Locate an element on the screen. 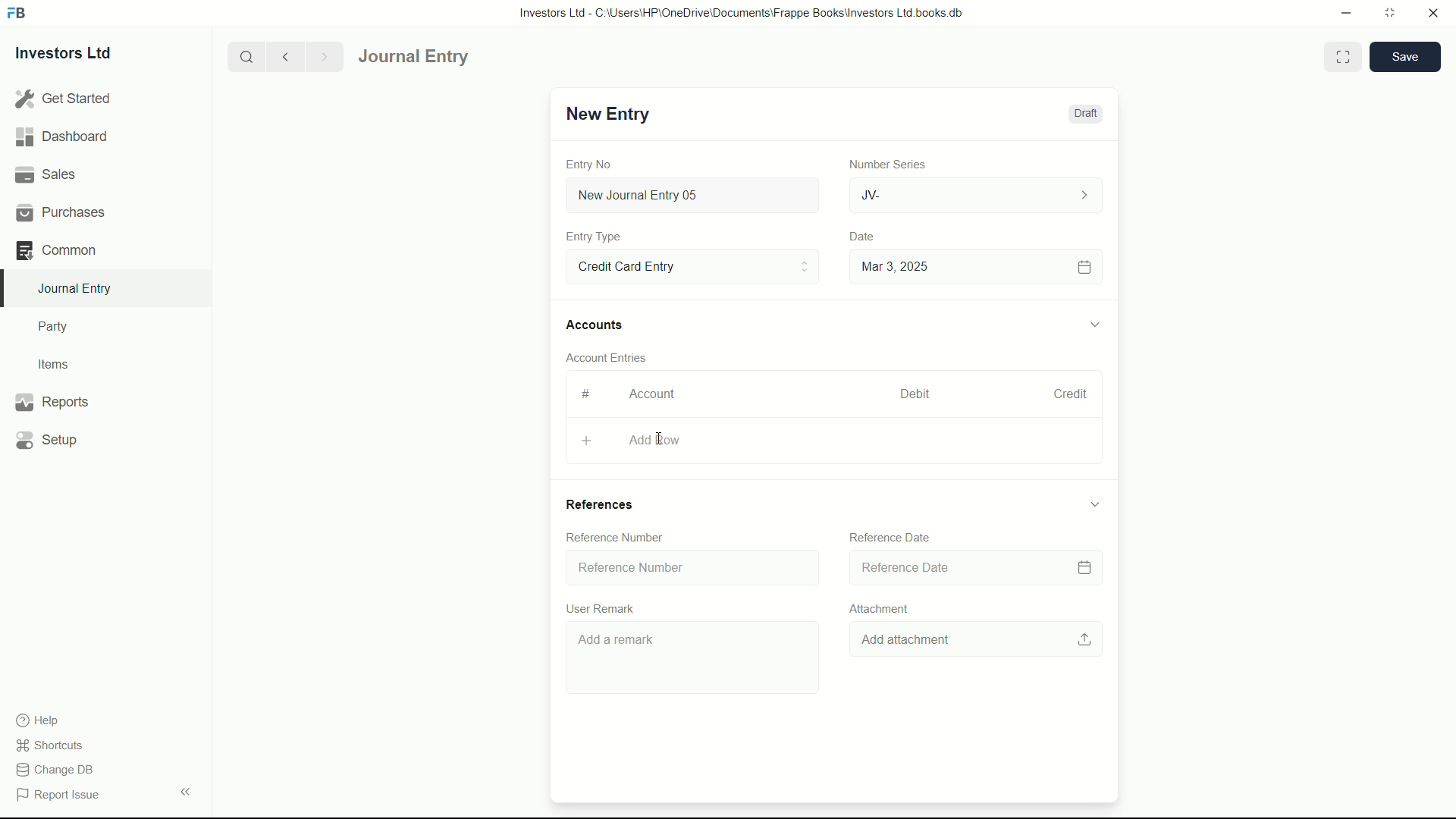  Reference Number is located at coordinates (616, 536).